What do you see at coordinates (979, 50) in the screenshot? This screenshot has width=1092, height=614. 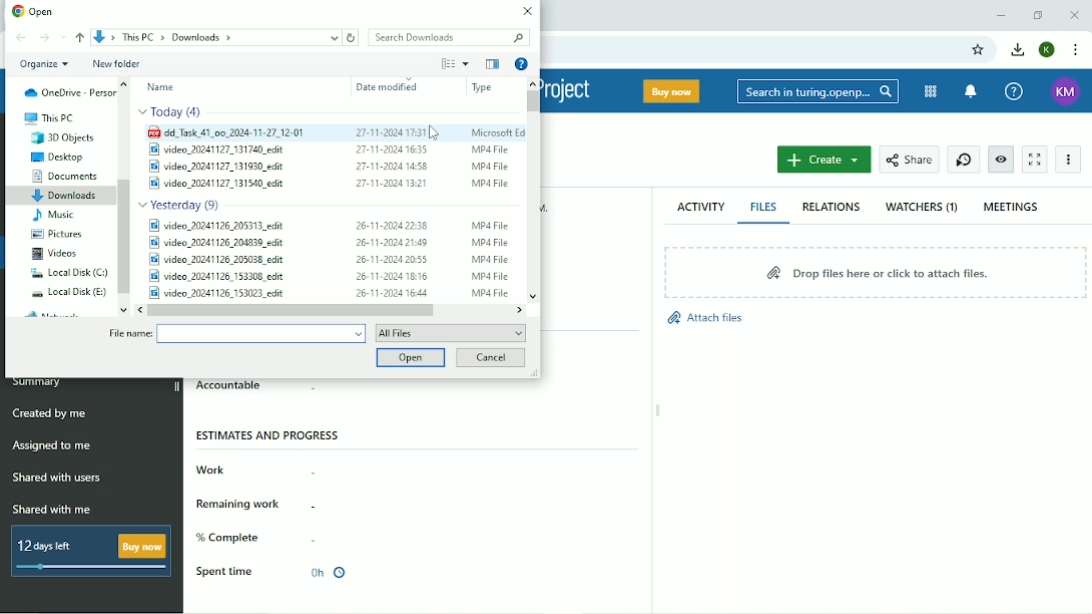 I see `Bookmark this tab` at bounding box center [979, 50].